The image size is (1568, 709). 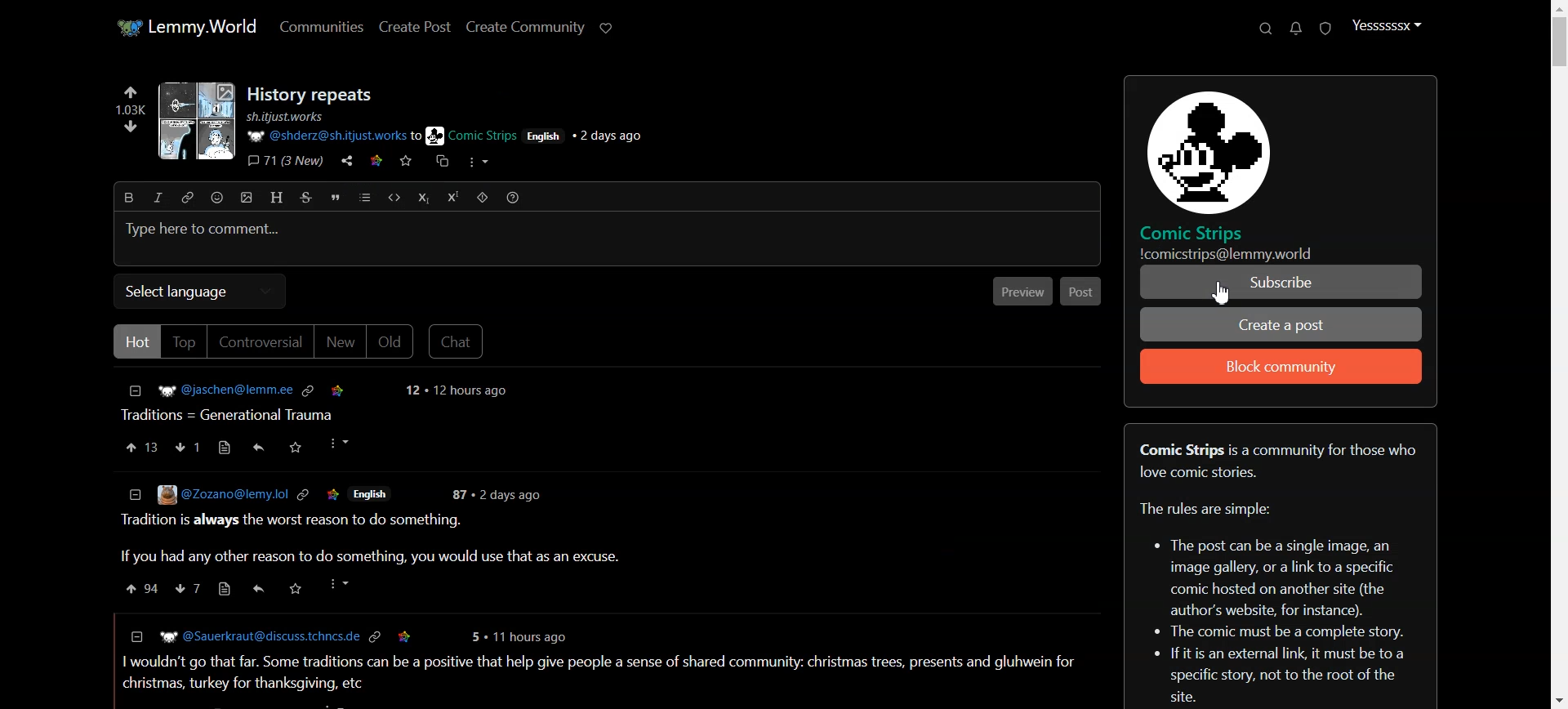 I want to click on Select language, so click(x=200, y=292).